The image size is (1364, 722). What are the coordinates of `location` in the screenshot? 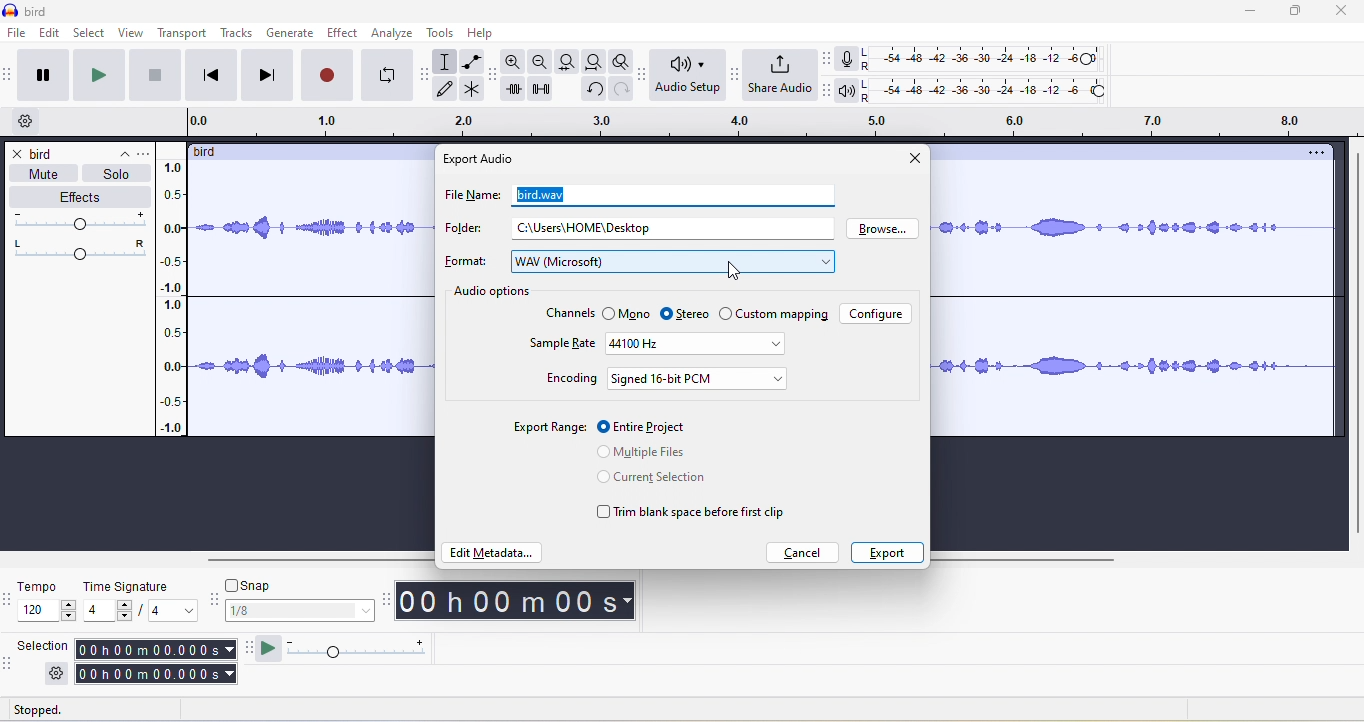 It's located at (588, 228).